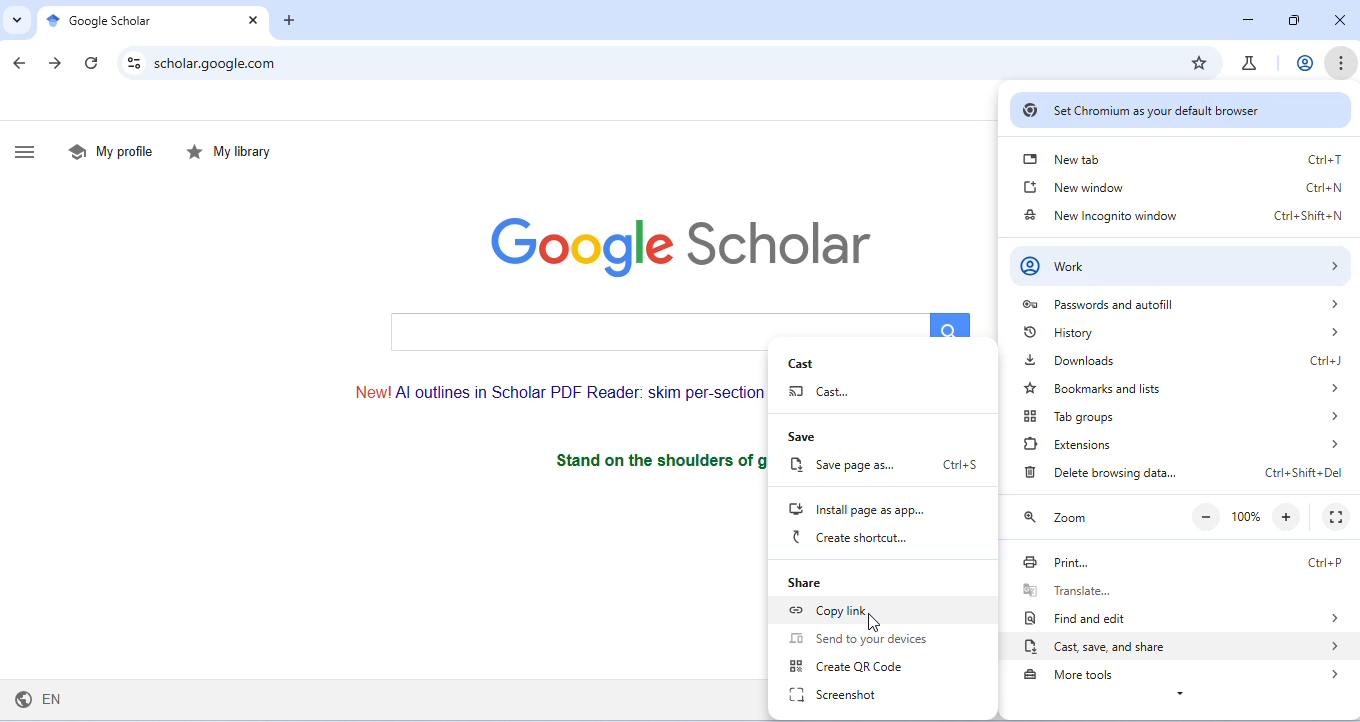  I want to click on search bar, so click(672, 323).